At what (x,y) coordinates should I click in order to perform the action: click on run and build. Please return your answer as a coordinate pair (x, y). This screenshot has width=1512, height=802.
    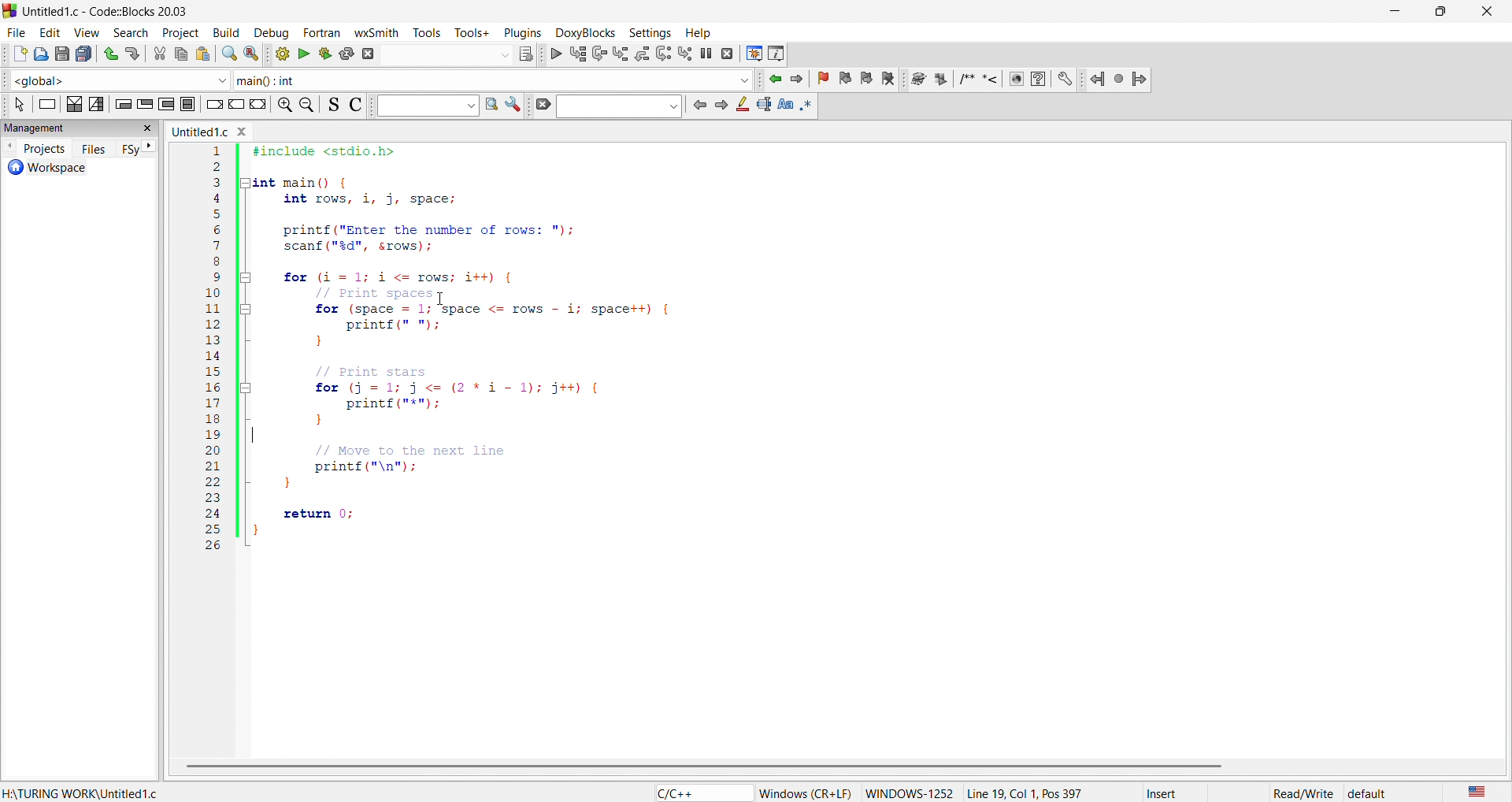
    Looking at the image, I should click on (323, 54).